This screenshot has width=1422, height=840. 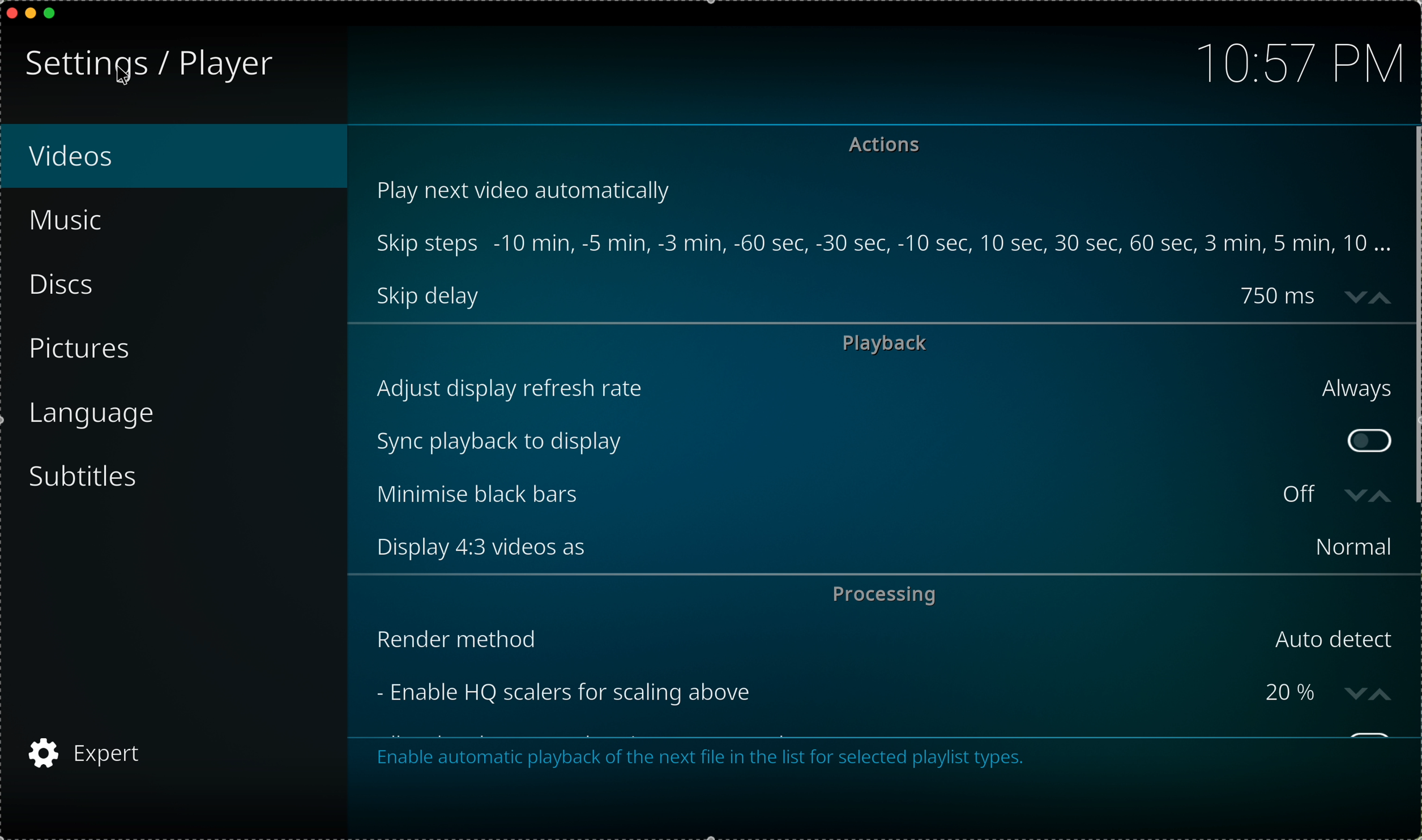 What do you see at coordinates (69, 286) in the screenshot?
I see `discs` at bounding box center [69, 286].